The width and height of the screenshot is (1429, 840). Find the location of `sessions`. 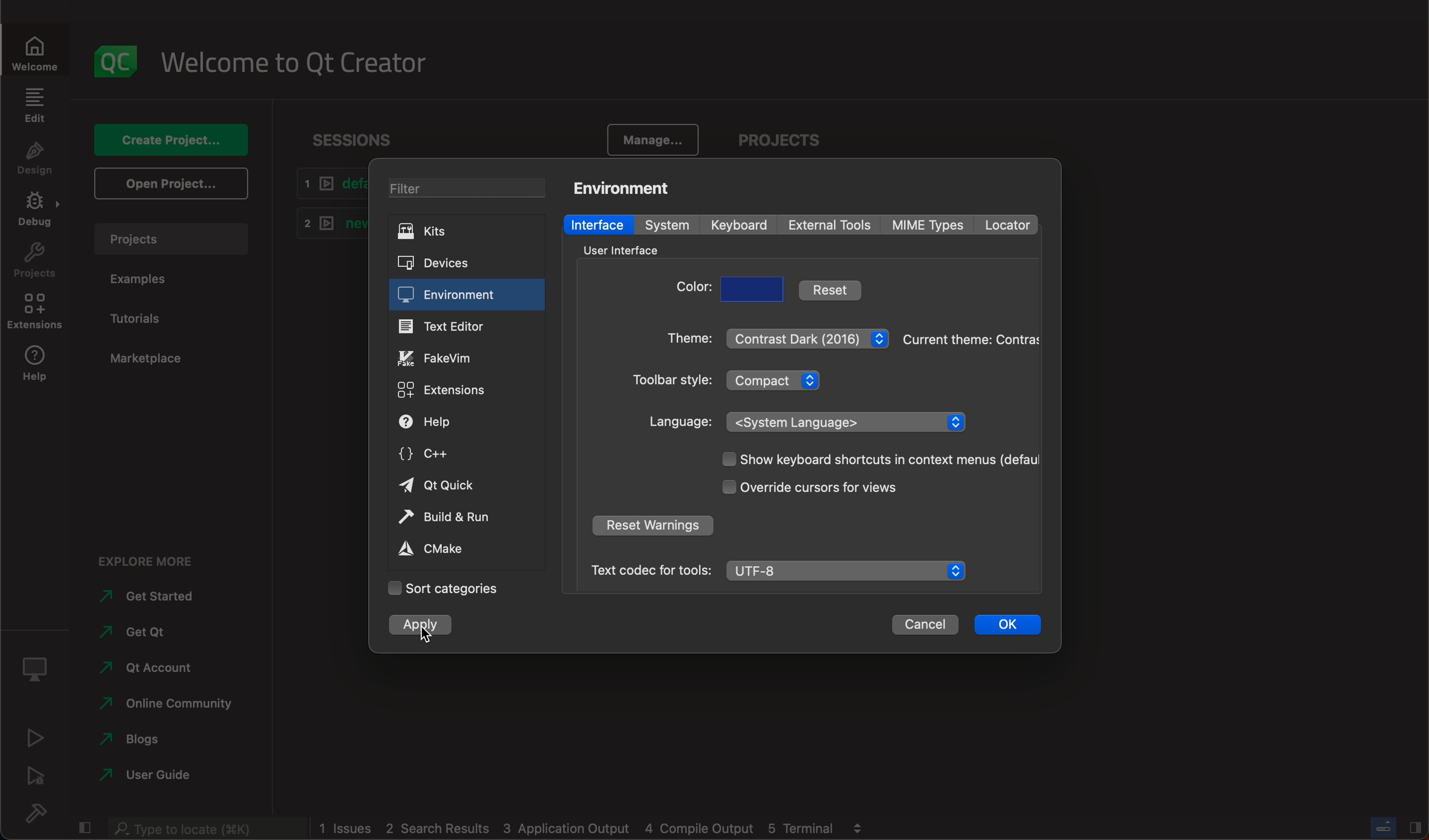

sessions is located at coordinates (352, 134).